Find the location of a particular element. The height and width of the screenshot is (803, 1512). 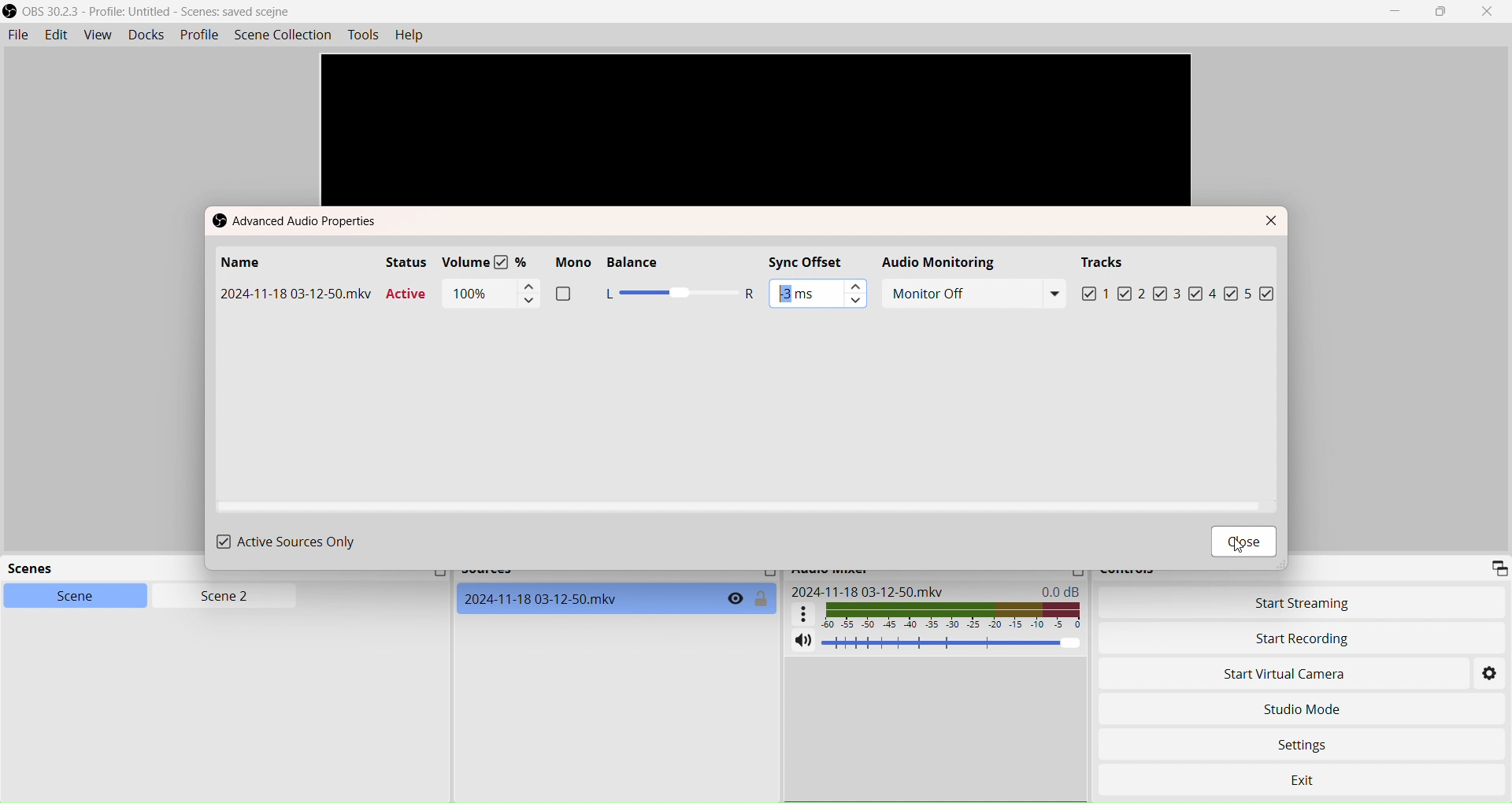

Start Recording is located at coordinates (1303, 638).